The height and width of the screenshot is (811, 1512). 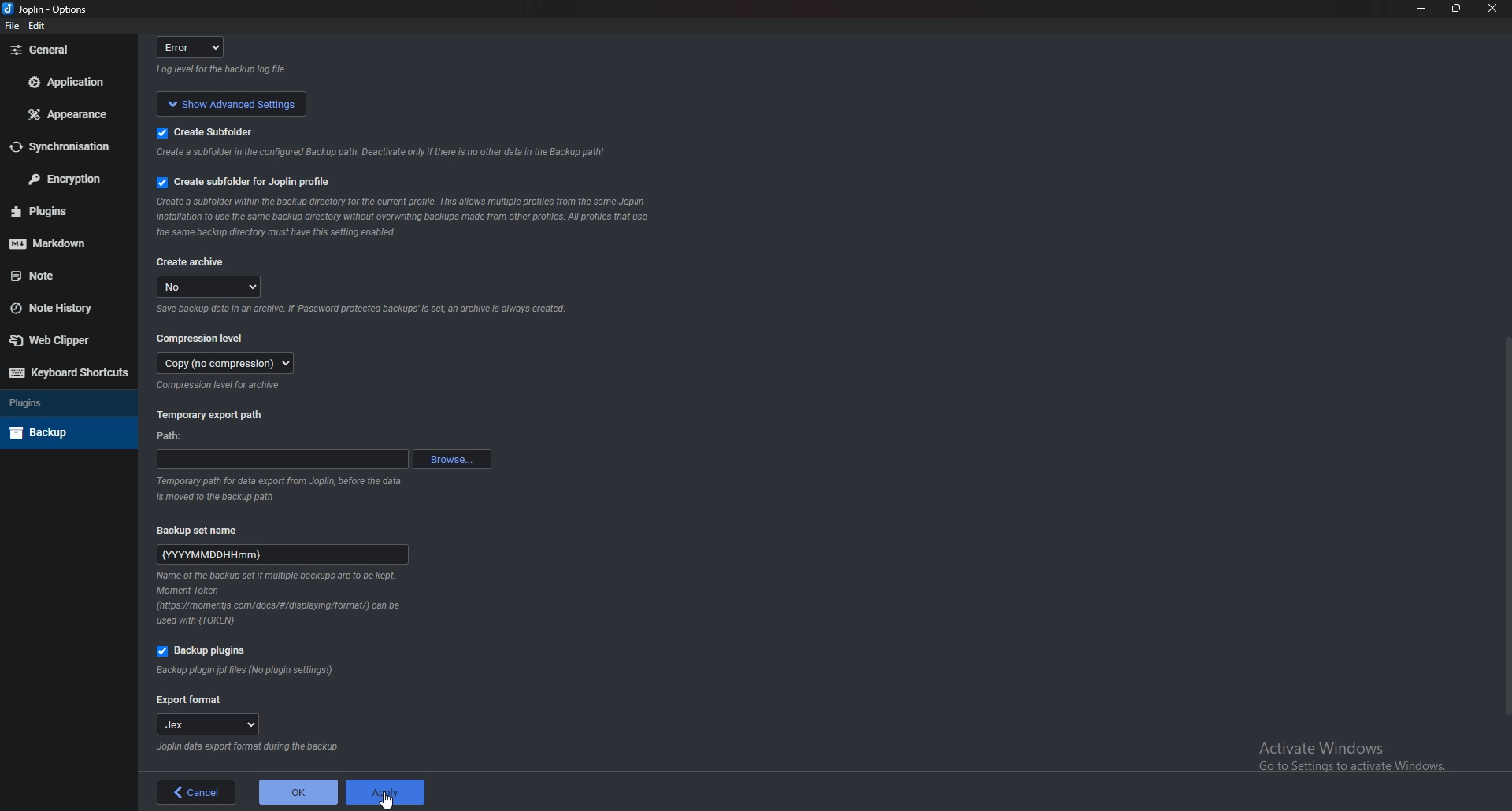 What do you see at coordinates (65, 402) in the screenshot?
I see `Plugins` at bounding box center [65, 402].